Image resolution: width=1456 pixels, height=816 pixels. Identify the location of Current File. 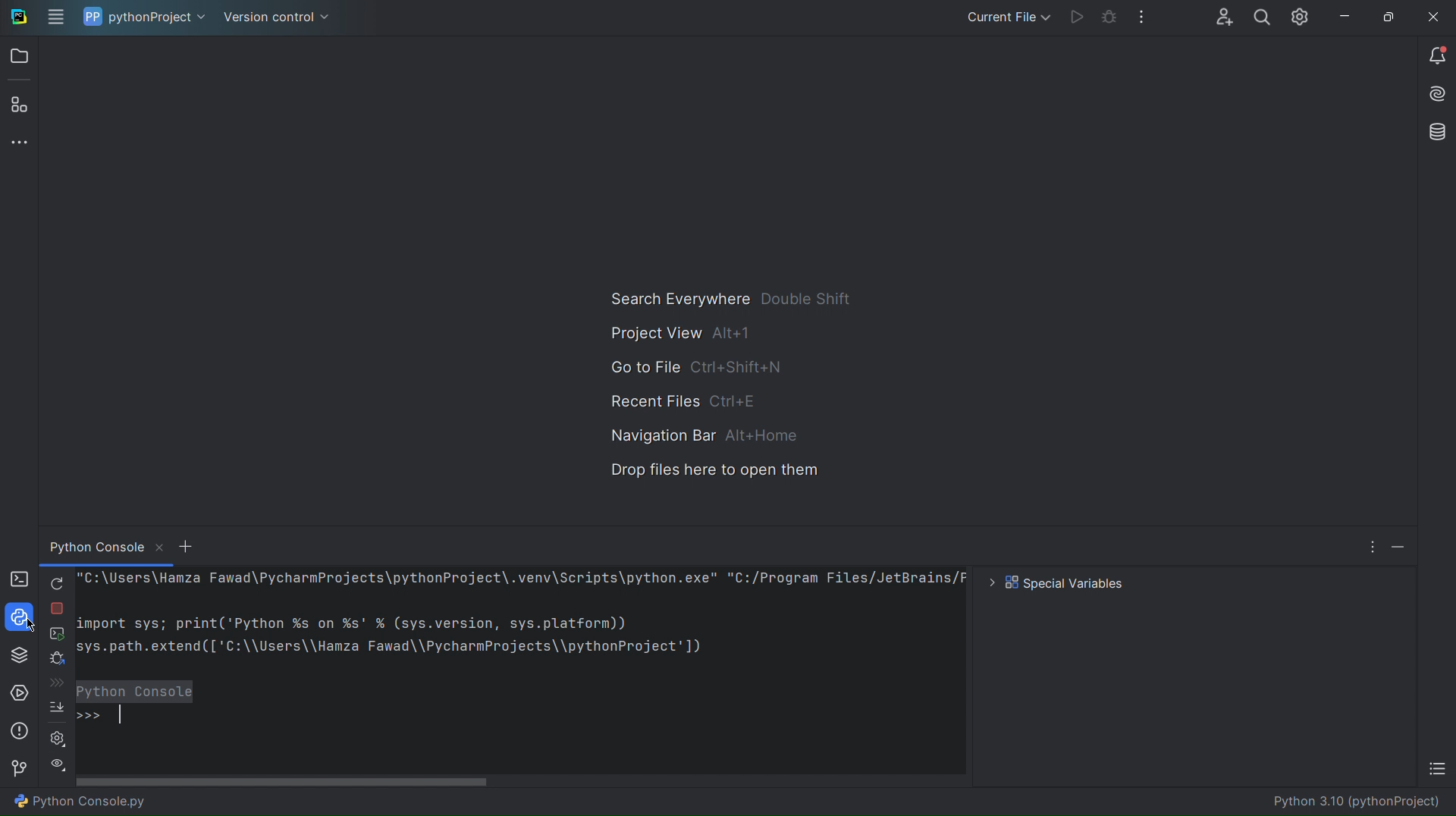
(1003, 19).